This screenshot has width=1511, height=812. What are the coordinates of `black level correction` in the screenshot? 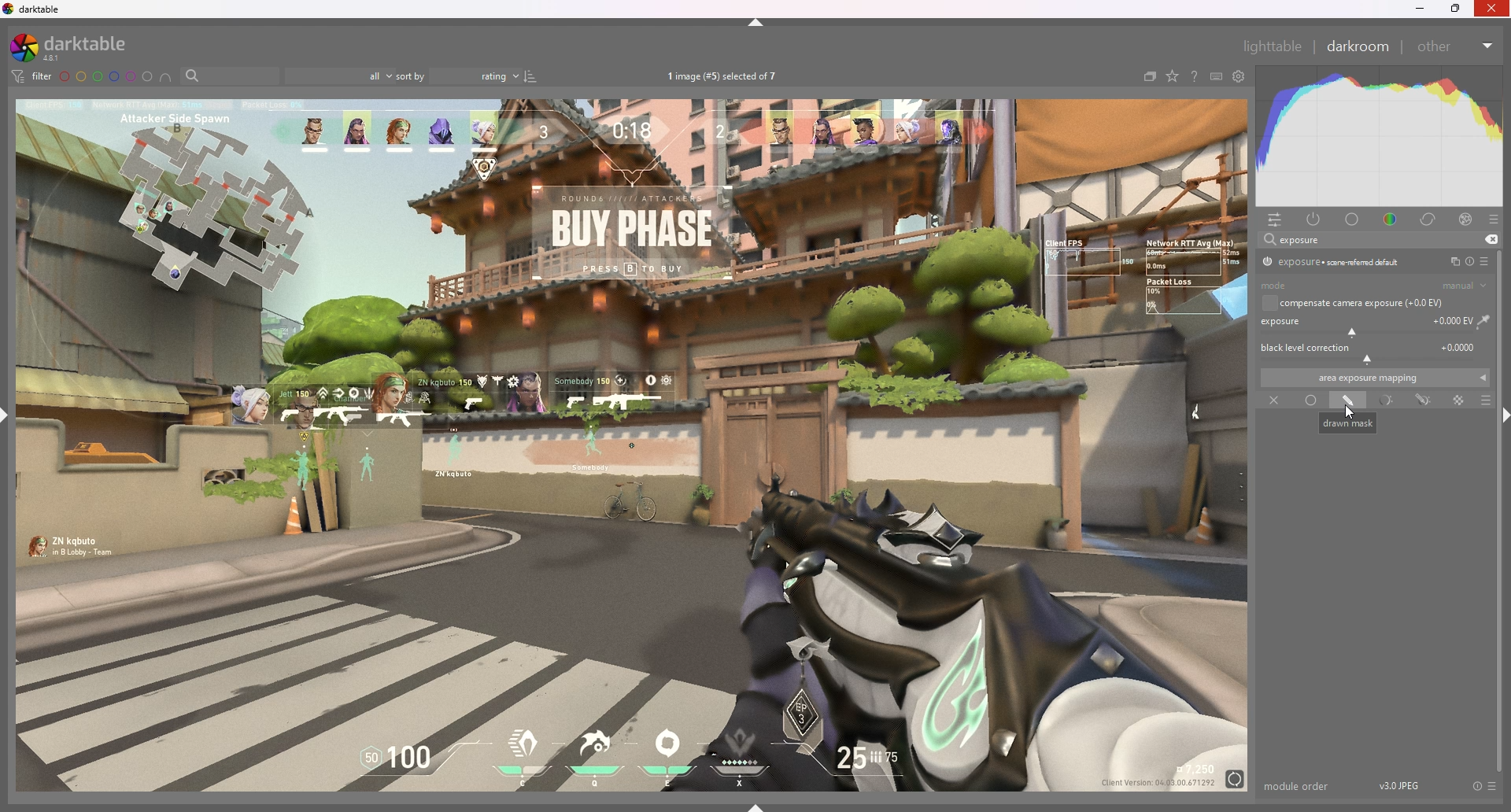 It's located at (1373, 352).